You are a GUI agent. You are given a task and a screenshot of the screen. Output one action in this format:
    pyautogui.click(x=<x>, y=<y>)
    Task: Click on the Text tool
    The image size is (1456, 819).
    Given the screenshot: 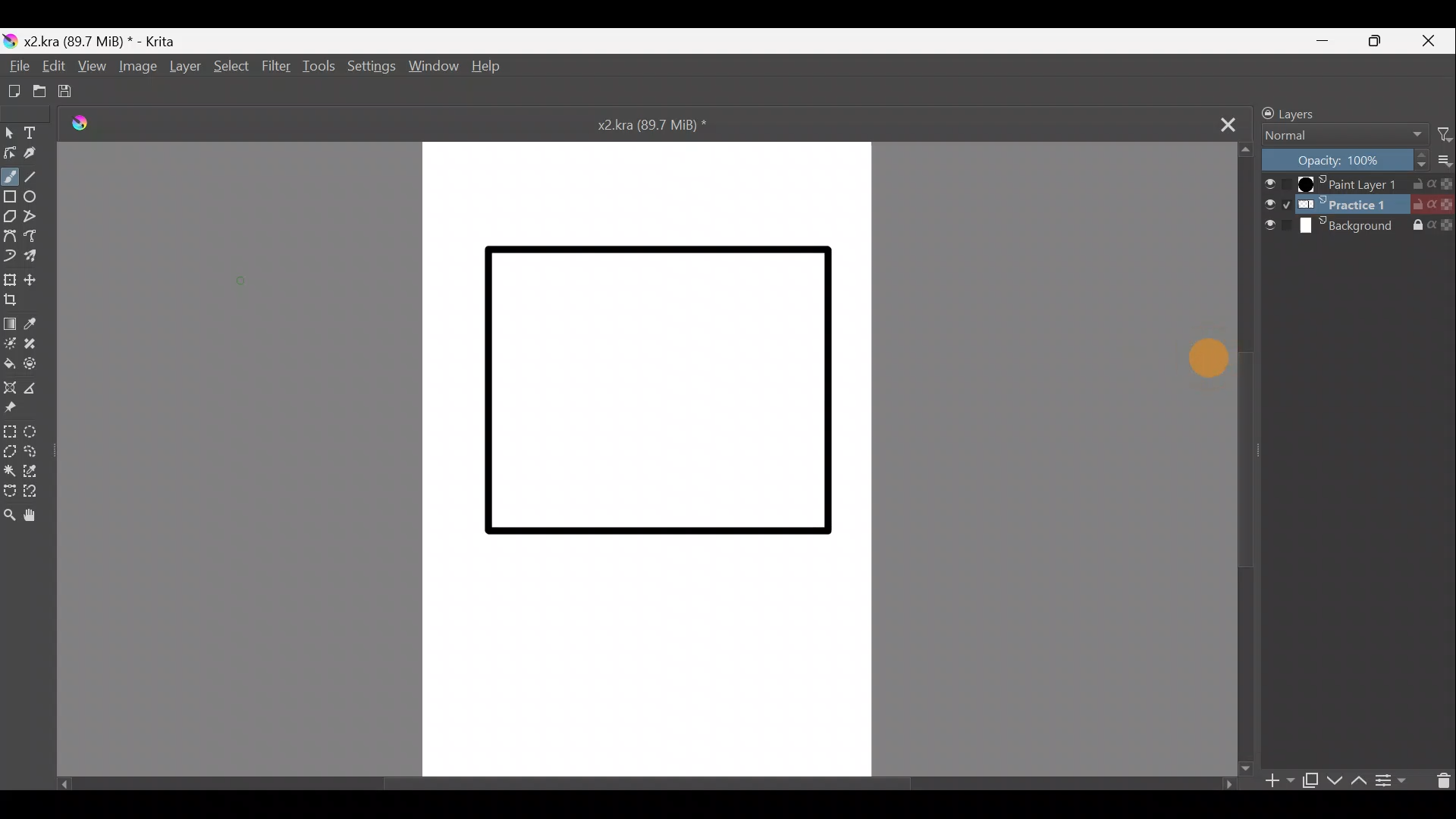 What is the action you would take?
    pyautogui.click(x=36, y=133)
    